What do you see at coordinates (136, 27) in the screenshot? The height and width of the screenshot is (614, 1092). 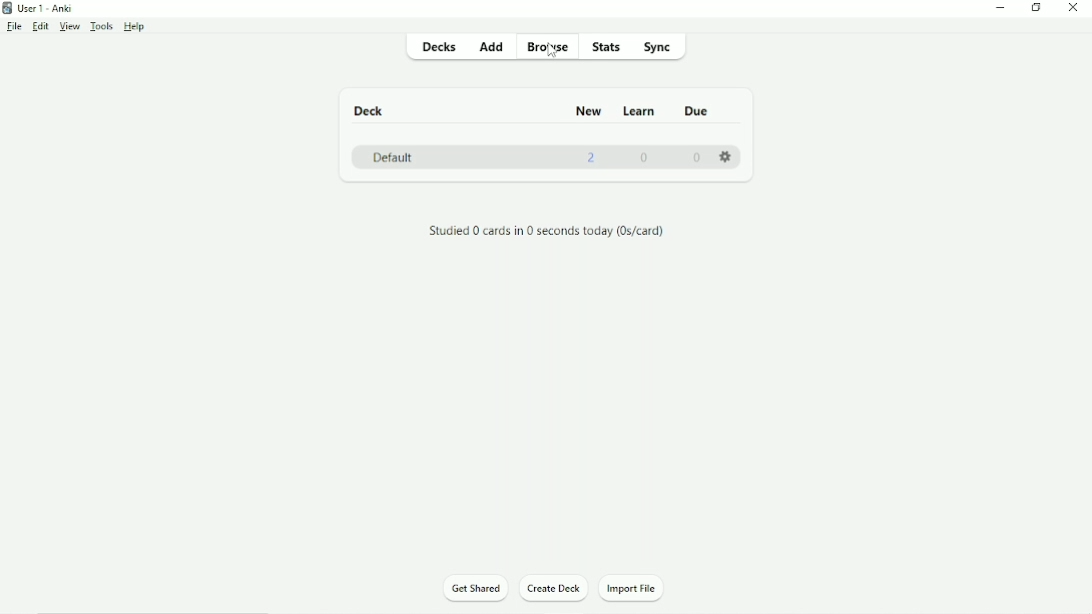 I see `Help` at bounding box center [136, 27].